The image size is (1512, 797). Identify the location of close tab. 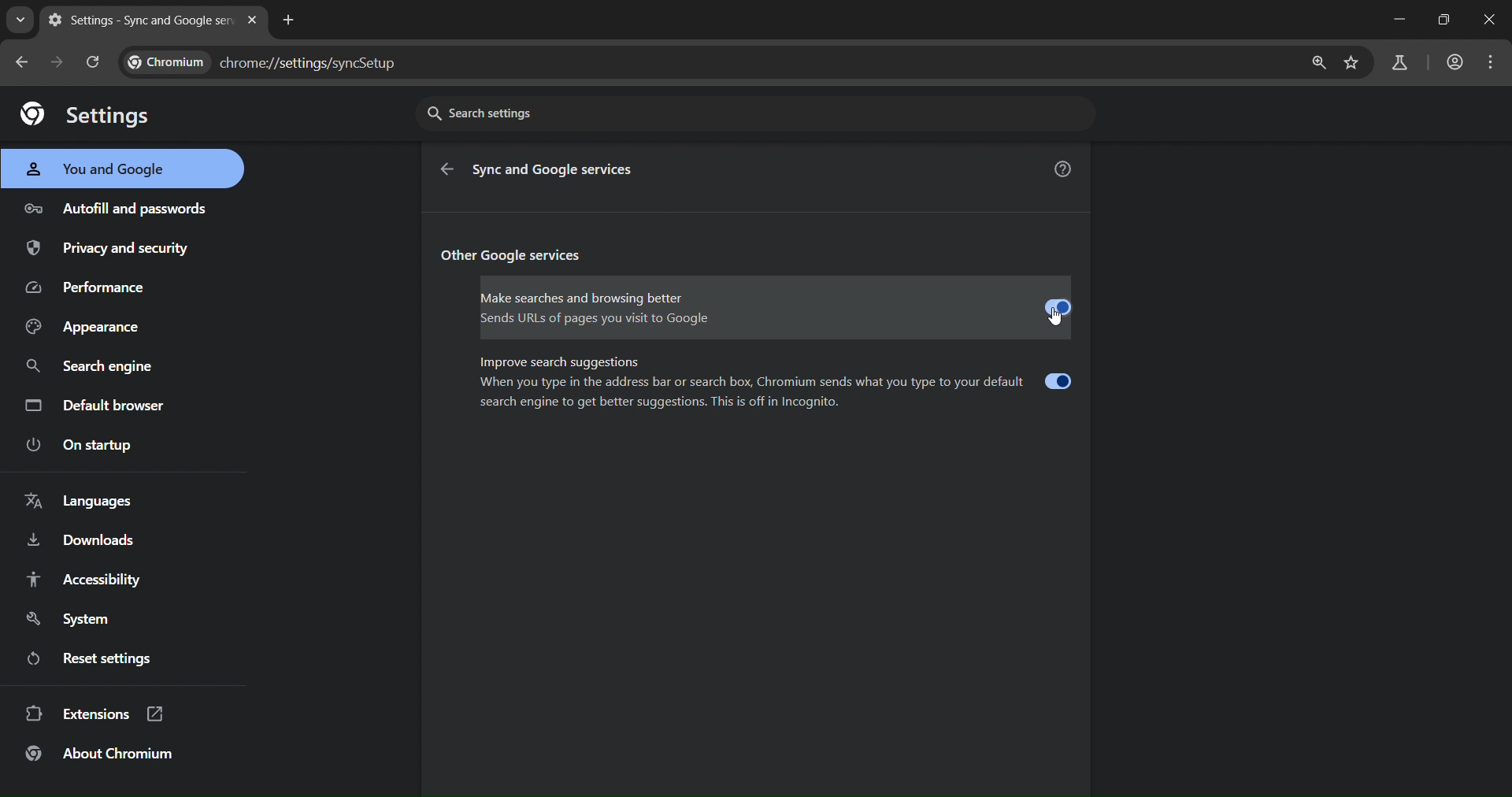
(255, 22).